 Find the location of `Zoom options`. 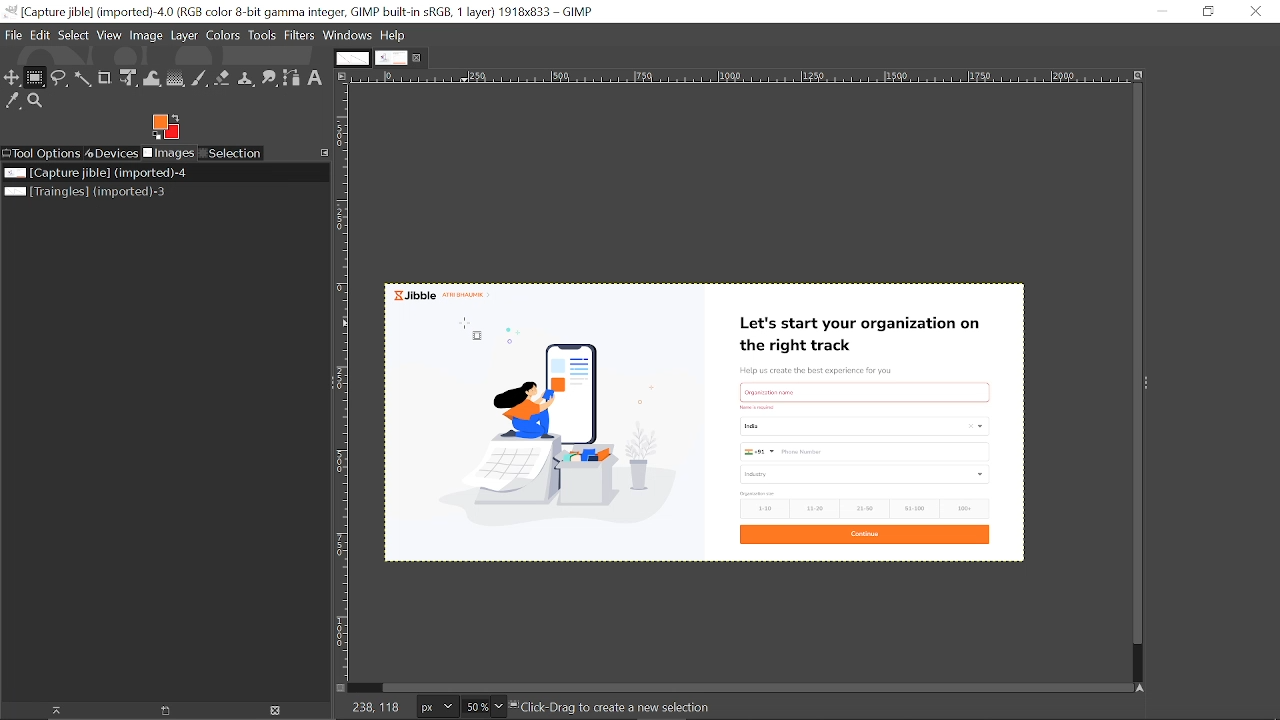

Zoom options is located at coordinates (500, 705).